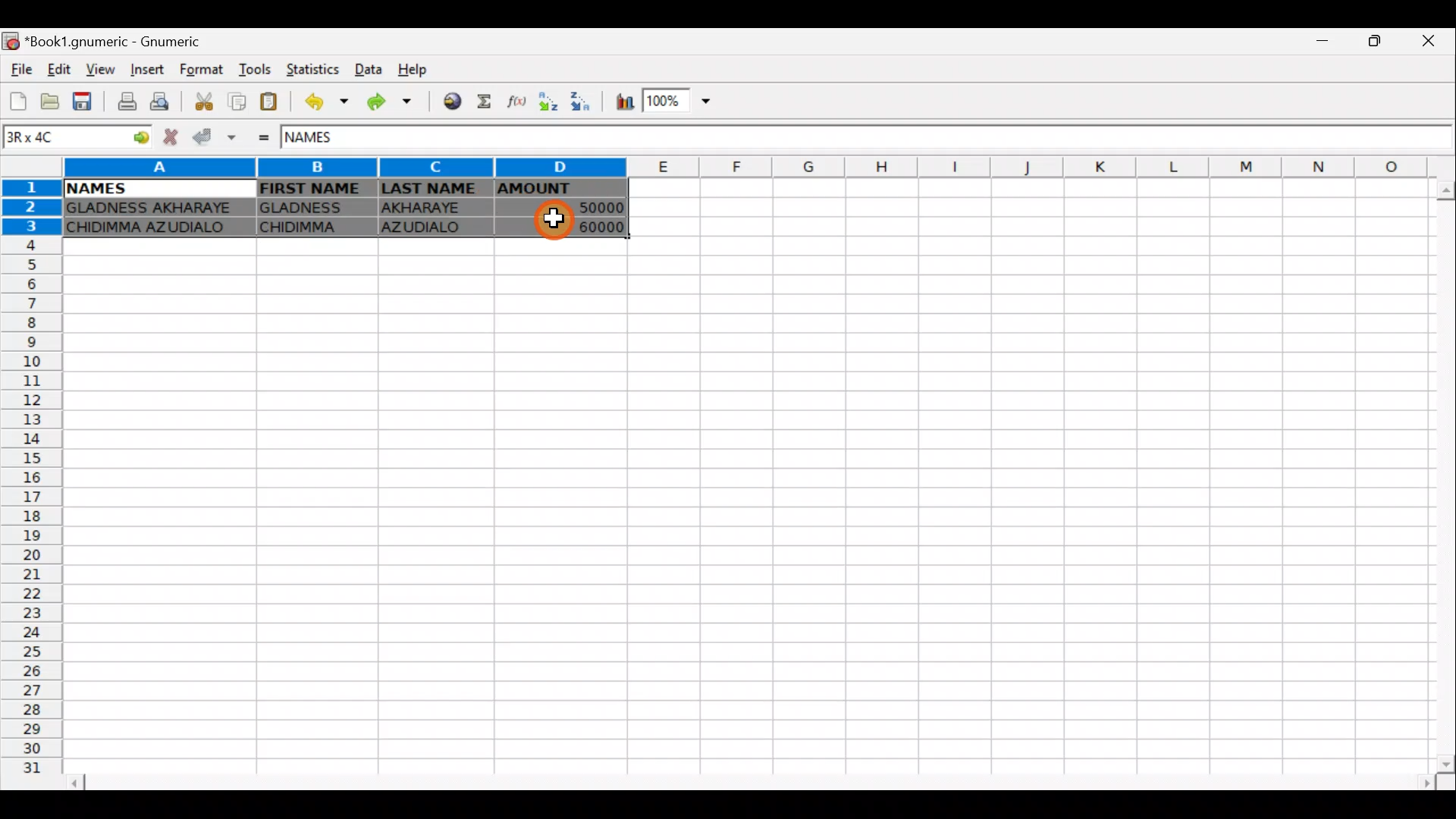 The image size is (1456, 819). What do you see at coordinates (19, 101) in the screenshot?
I see `Create a new workbook` at bounding box center [19, 101].